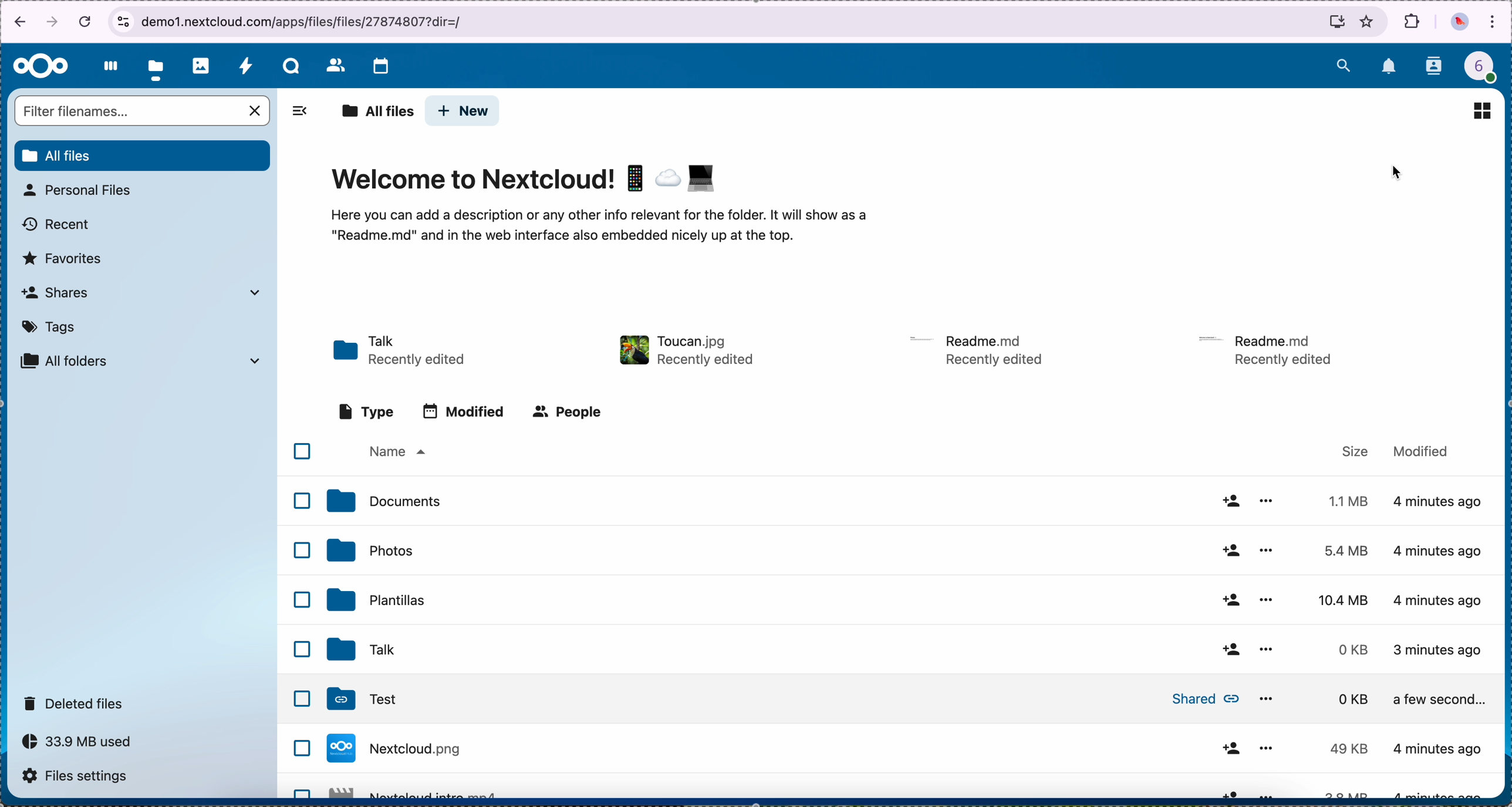 This screenshot has height=807, width=1512. I want to click on all files, so click(377, 112).